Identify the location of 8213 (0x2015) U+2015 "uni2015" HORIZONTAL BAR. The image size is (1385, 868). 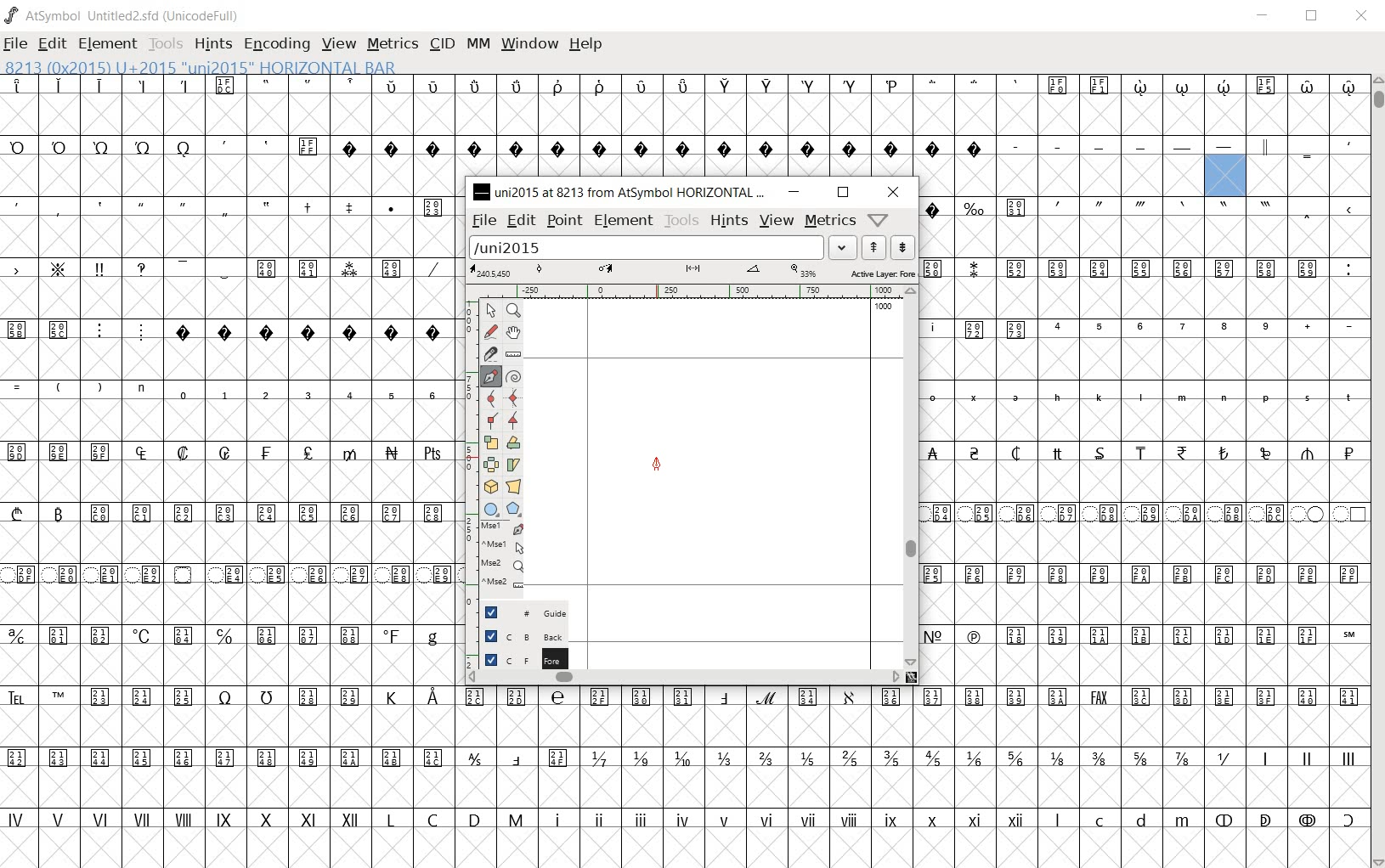
(1225, 168).